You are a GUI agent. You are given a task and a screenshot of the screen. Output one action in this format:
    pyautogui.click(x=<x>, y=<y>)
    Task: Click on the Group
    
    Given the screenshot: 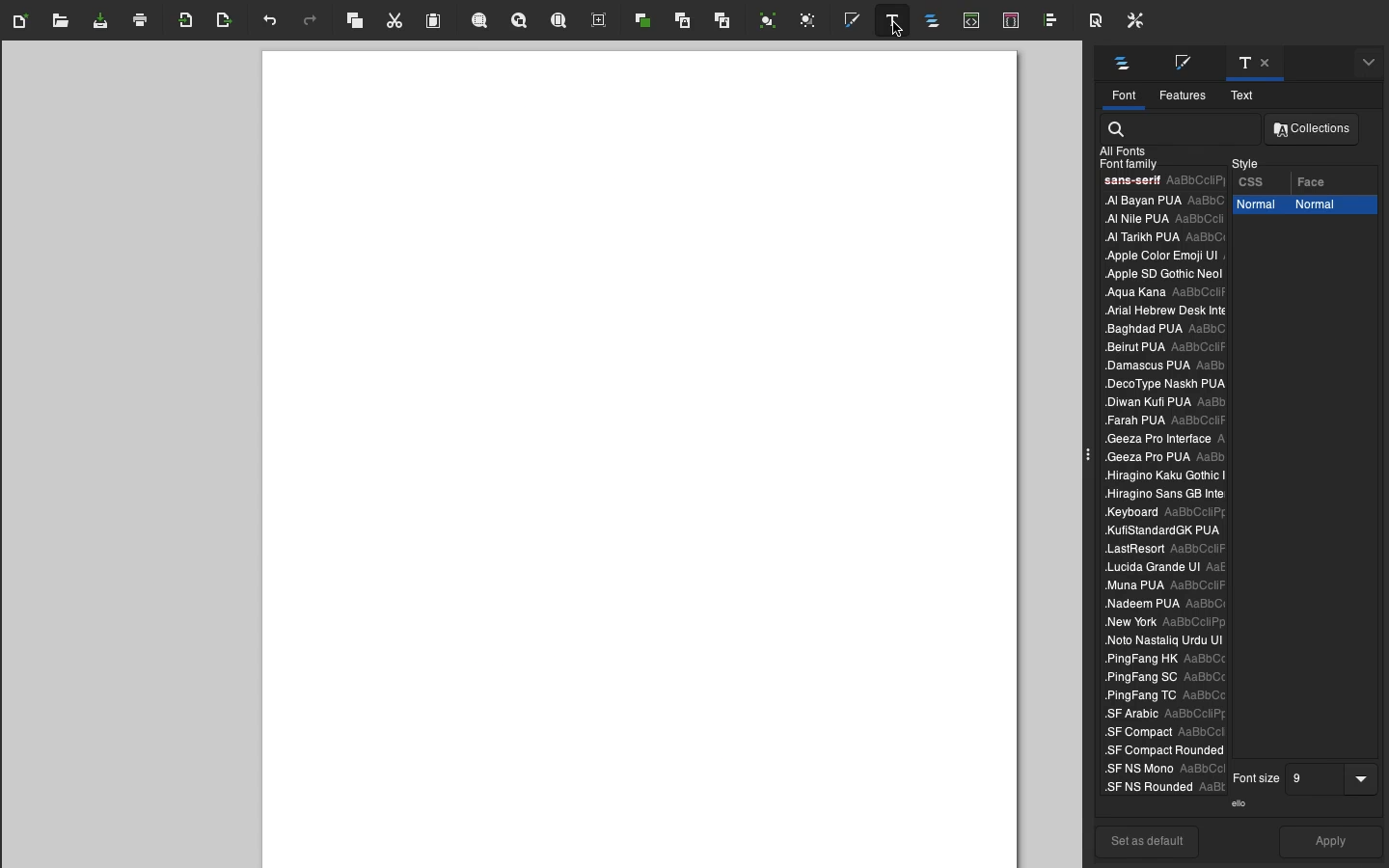 What is the action you would take?
    pyautogui.click(x=768, y=20)
    